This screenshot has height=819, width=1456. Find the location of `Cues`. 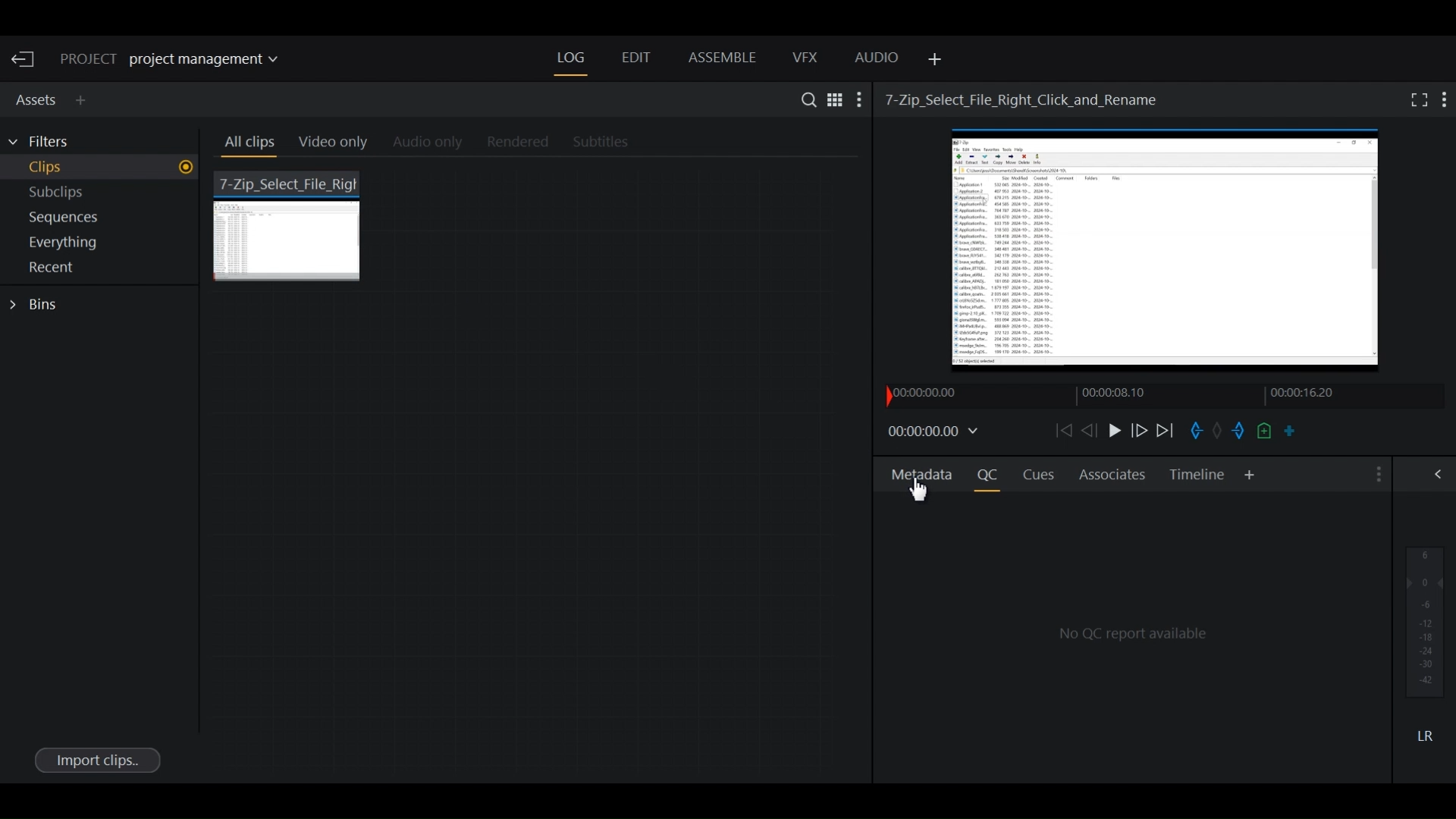

Cues is located at coordinates (1040, 475).